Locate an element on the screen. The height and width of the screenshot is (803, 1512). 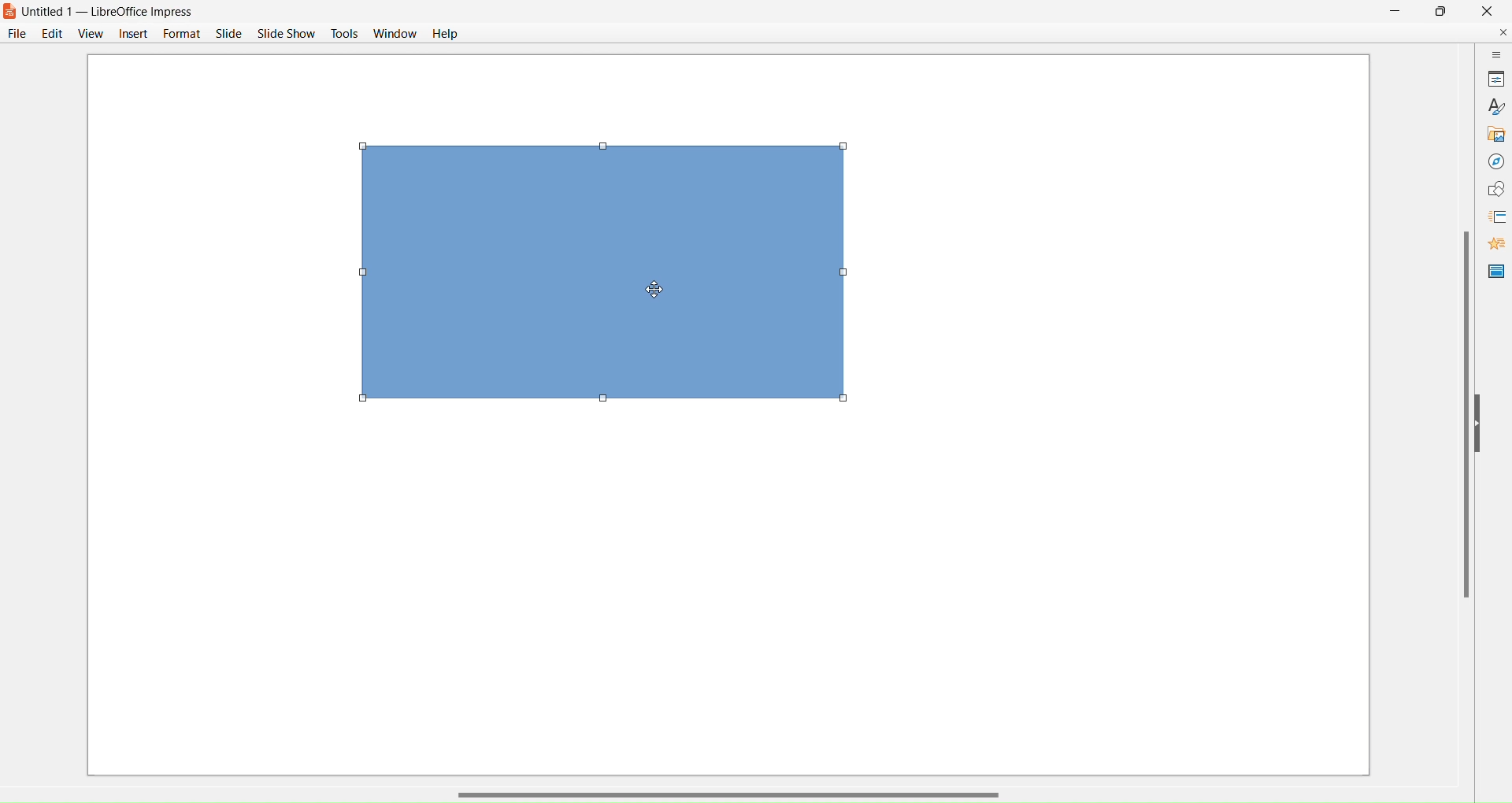
Close is located at coordinates (1486, 10).